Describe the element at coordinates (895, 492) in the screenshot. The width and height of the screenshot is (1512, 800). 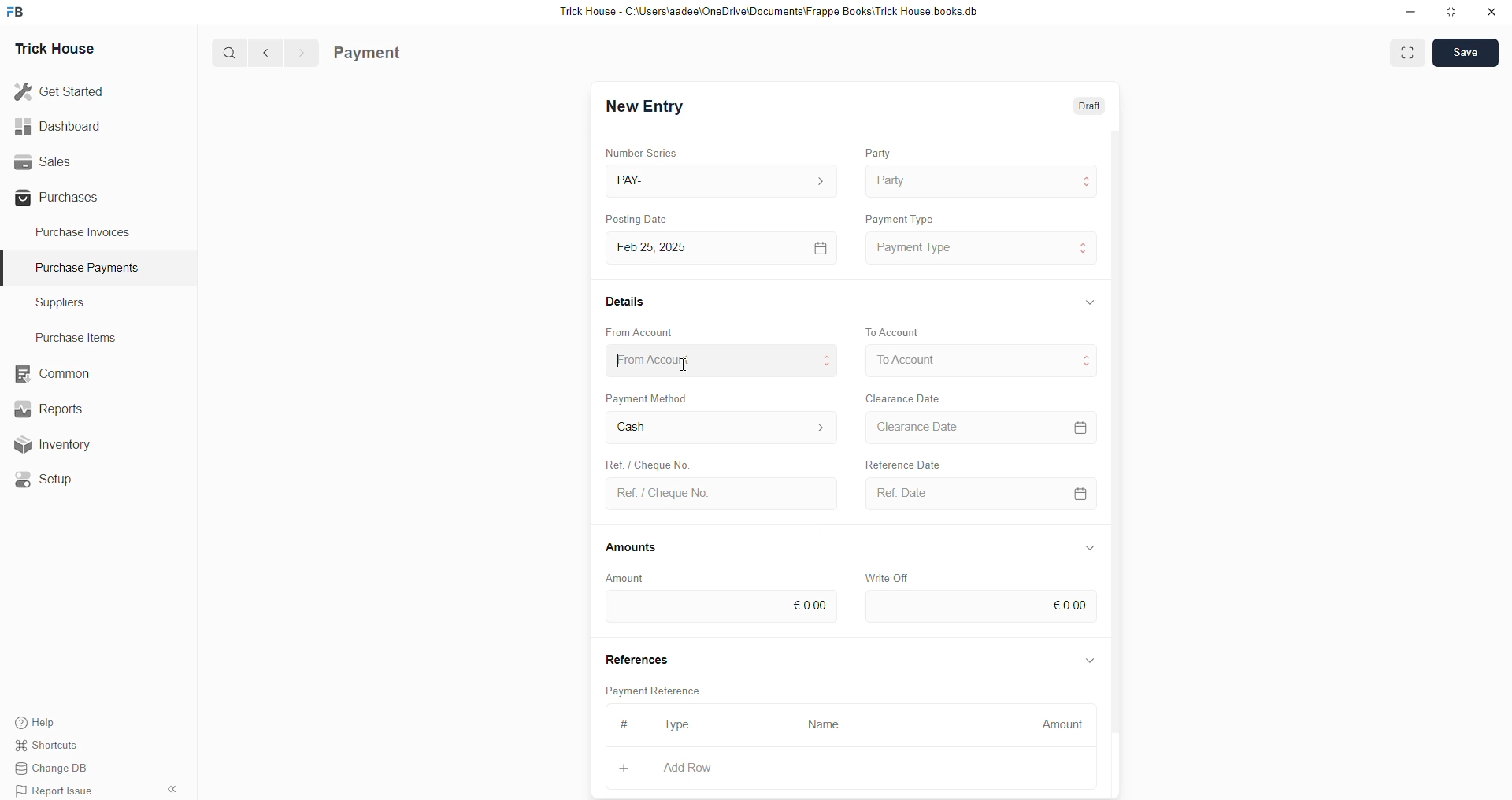
I see `Ref Date` at that location.